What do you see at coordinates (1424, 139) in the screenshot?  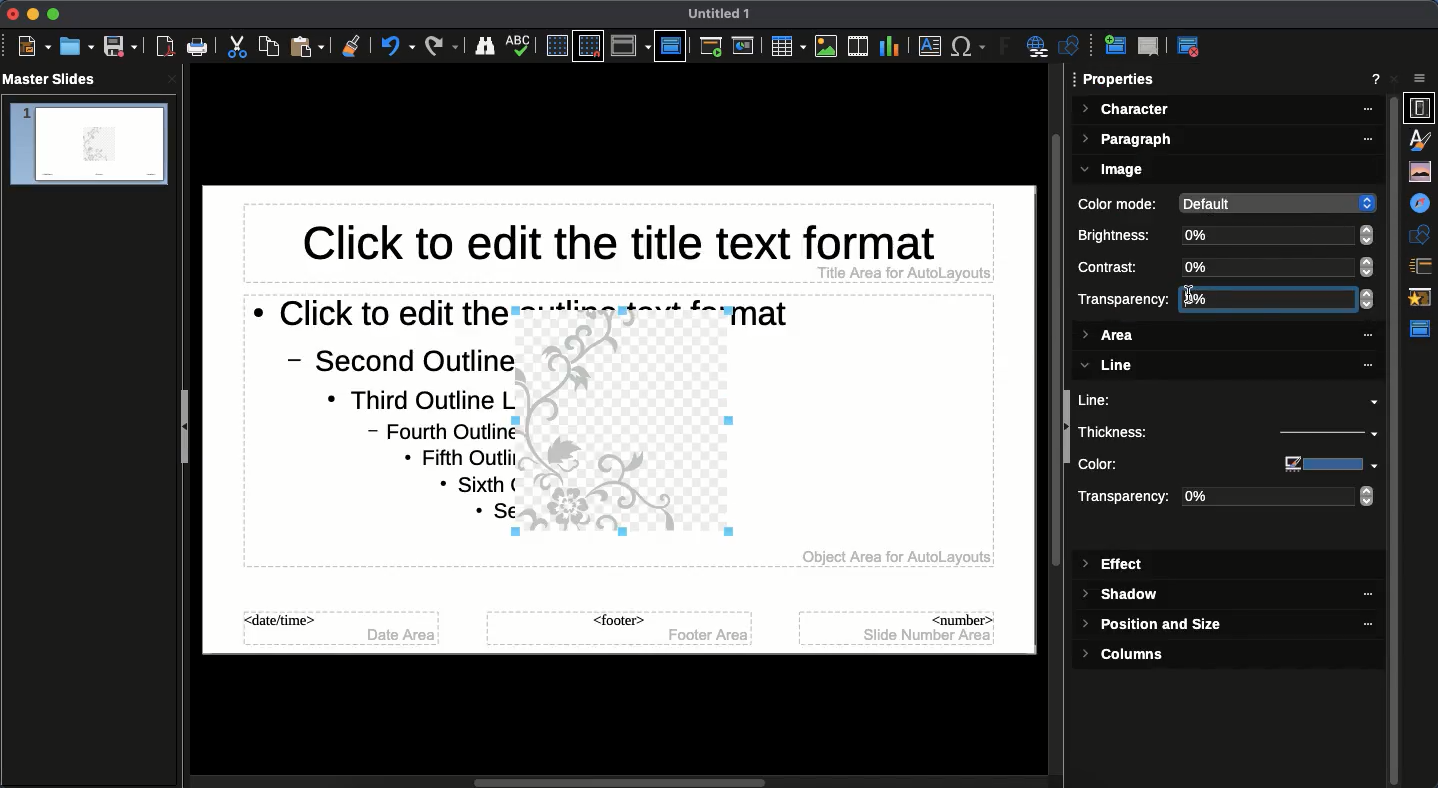 I see `Styles` at bounding box center [1424, 139].